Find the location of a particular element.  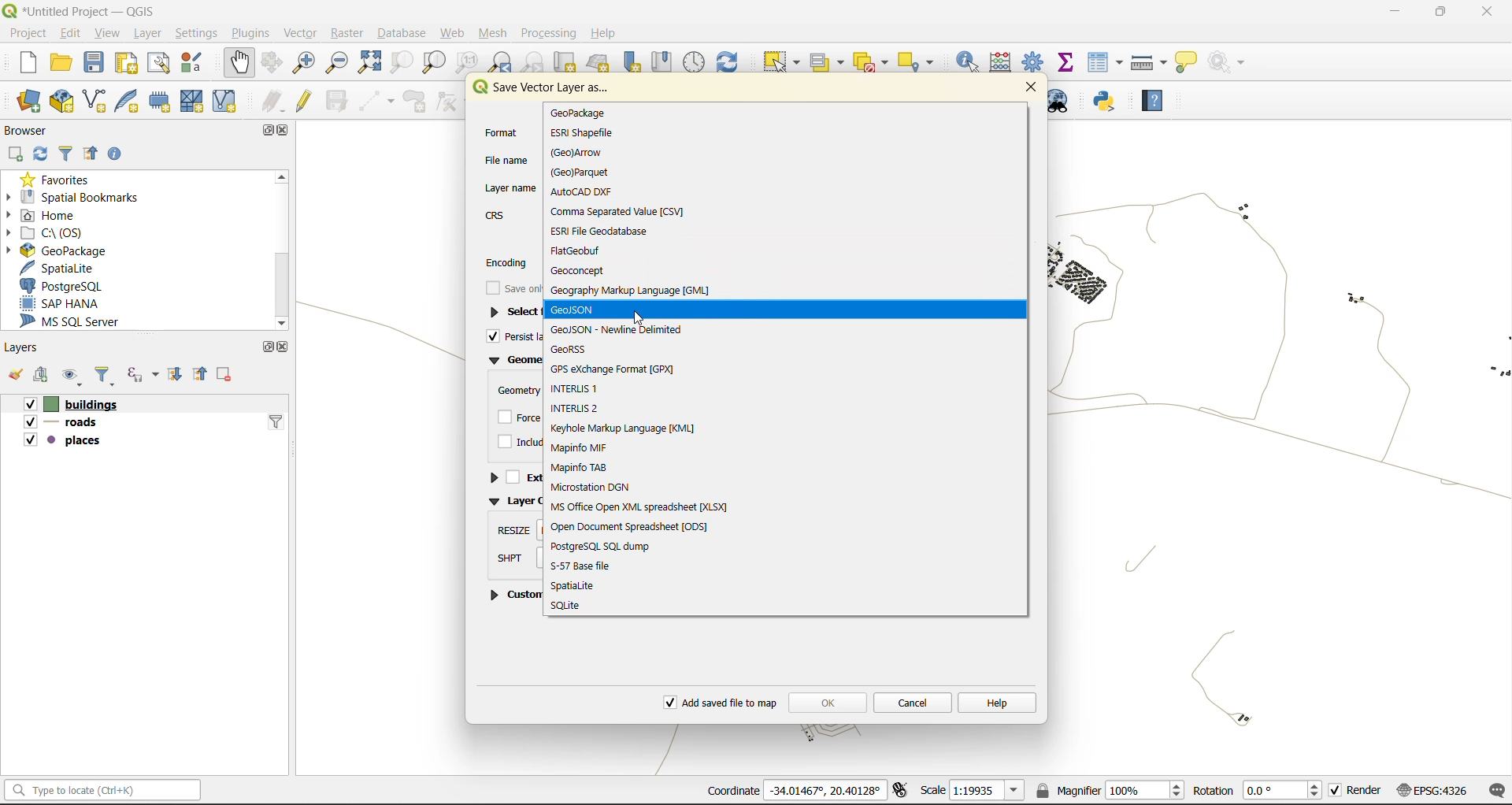

s57 base file is located at coordinates (587, 566).